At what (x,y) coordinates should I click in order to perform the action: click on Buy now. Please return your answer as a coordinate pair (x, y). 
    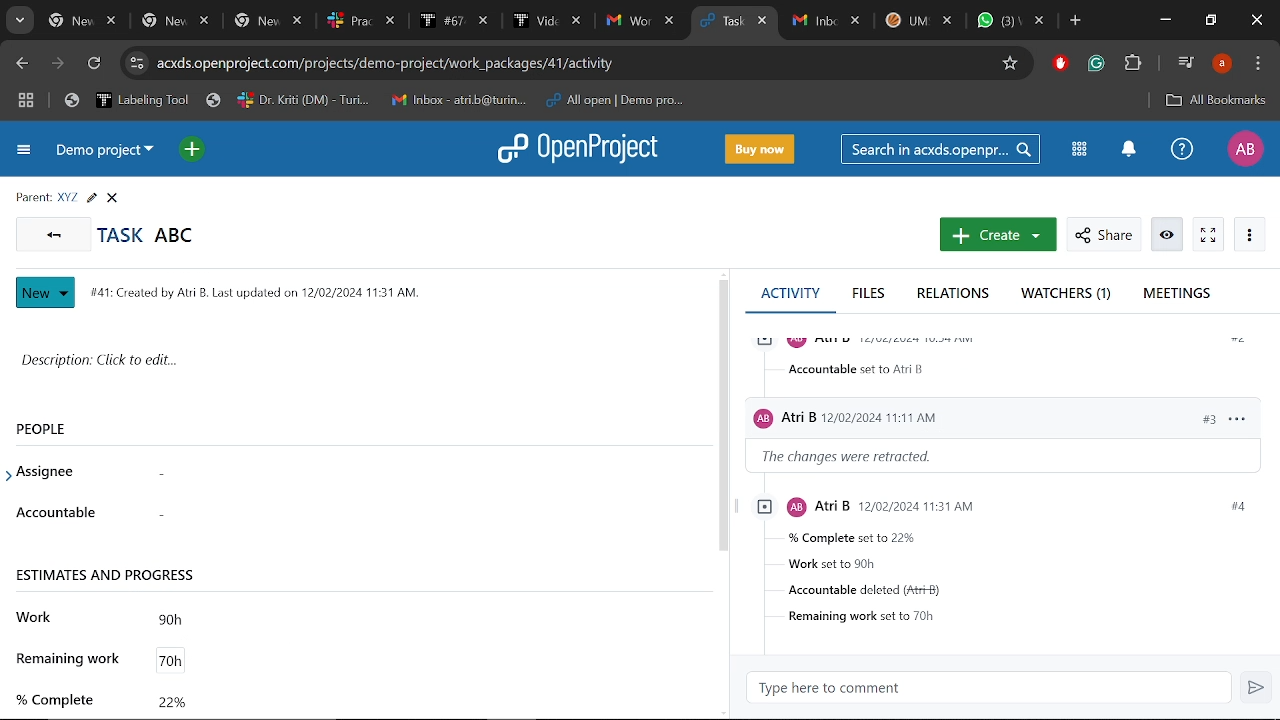
    Looking at the image, I should click on (763, 148).